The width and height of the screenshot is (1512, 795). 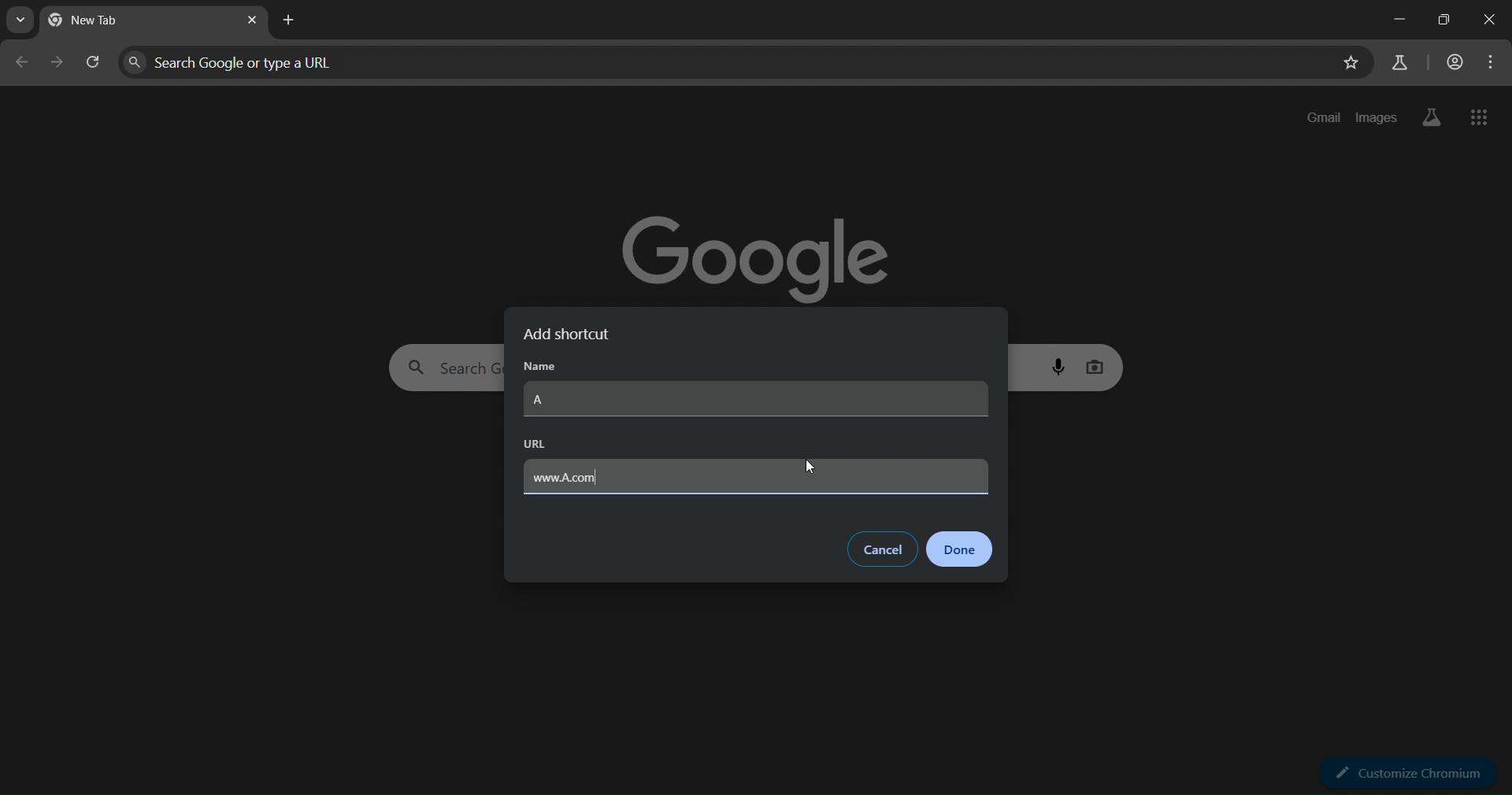 What do you see at coordinates (292, 20) in the screenshot?
I see `new tab` at bounding box center [292, 20].